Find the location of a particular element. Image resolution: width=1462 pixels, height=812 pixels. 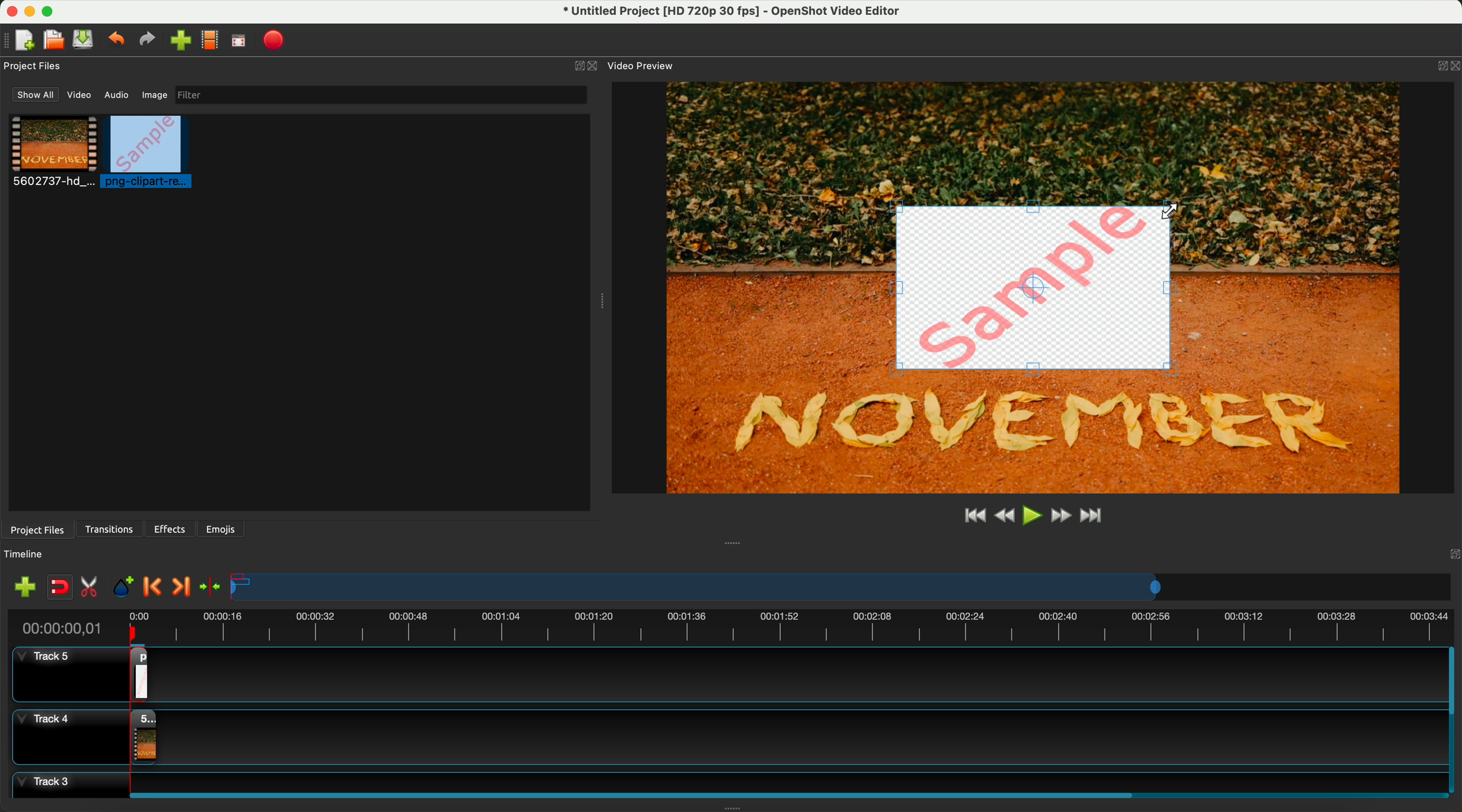

disable snapping is located at coordinates (60, 588).